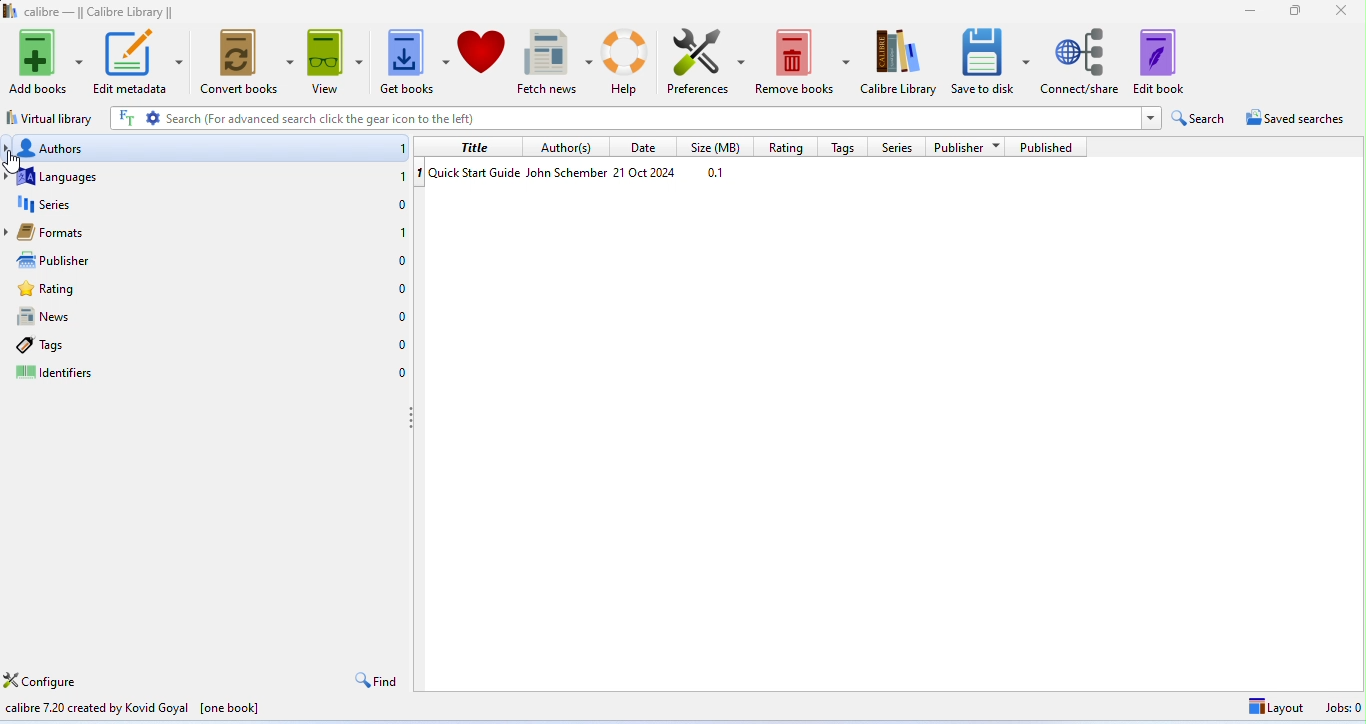 This screenshot has height=724, width=1366. What do you see at coordinates (214, 261) in the screenshot?
I see `publisher` at bounding box center [214, 261].